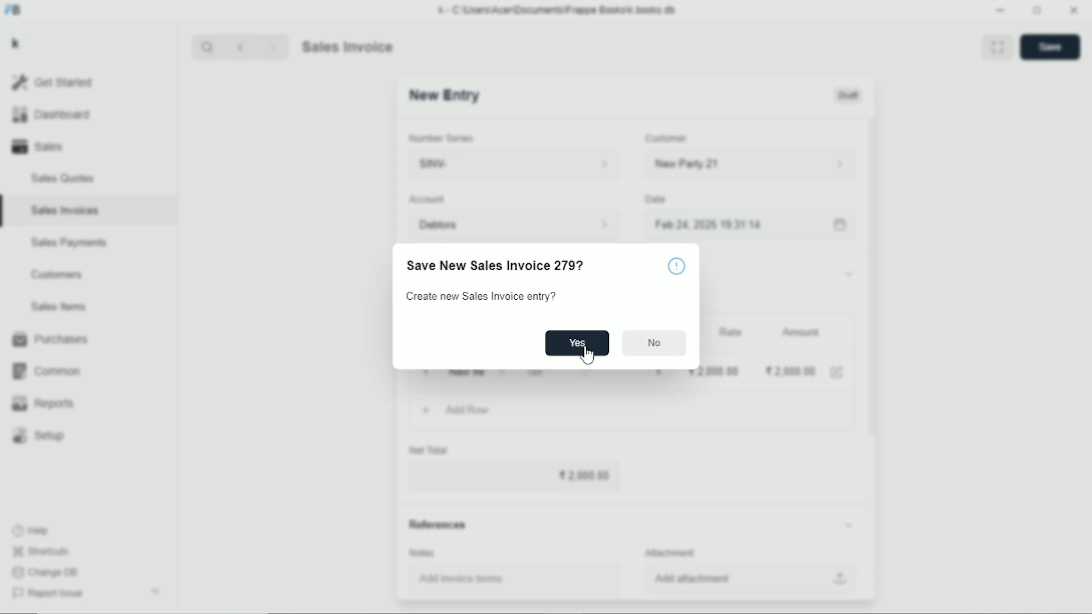 This screenshot has height=614, width=1092. Describe the element at coordinates (577, 343) in the screenshot. I see `Yes` at that location.